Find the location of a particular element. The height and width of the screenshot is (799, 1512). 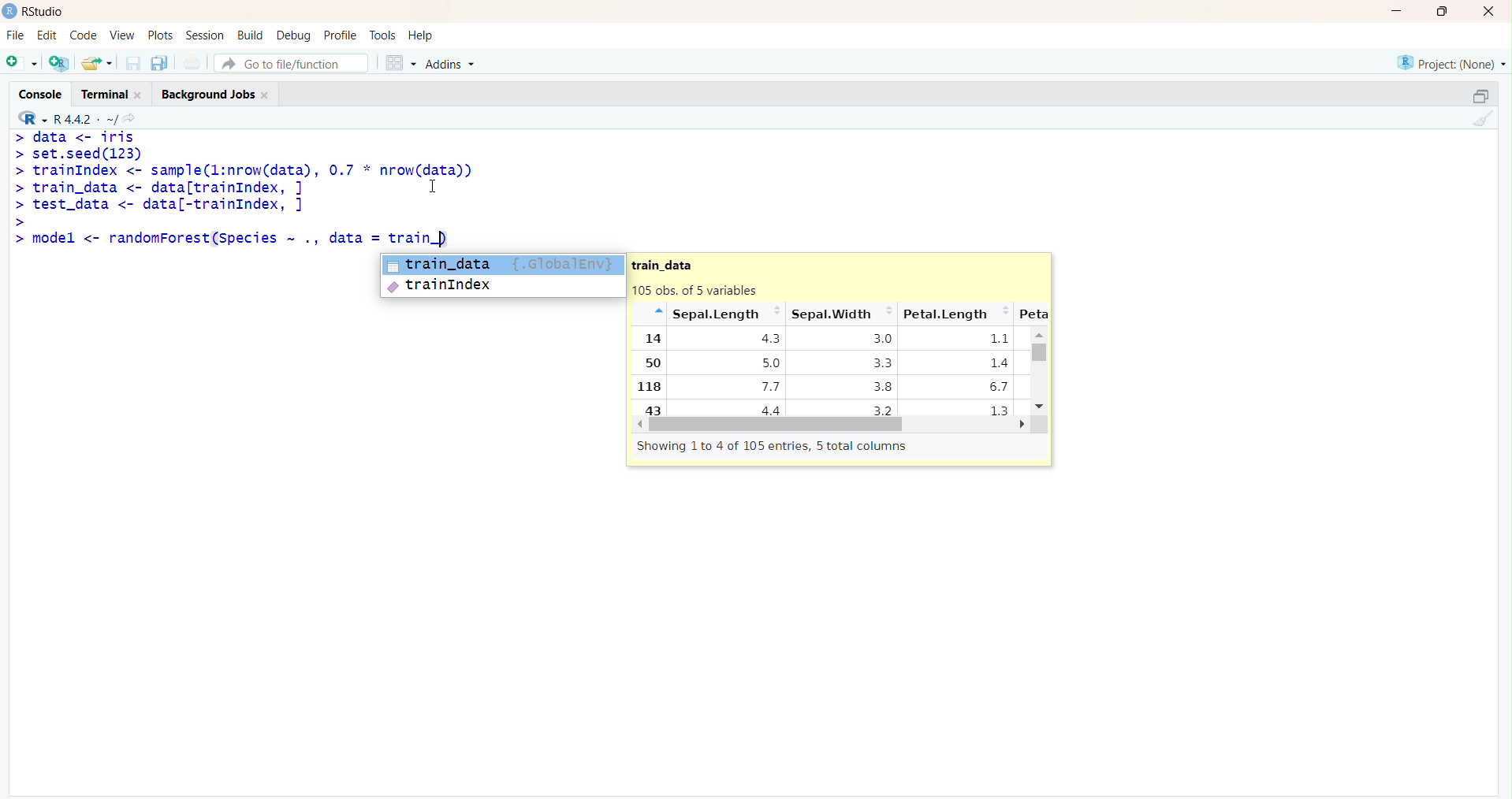

Profile is located at coordinates (340, 35).